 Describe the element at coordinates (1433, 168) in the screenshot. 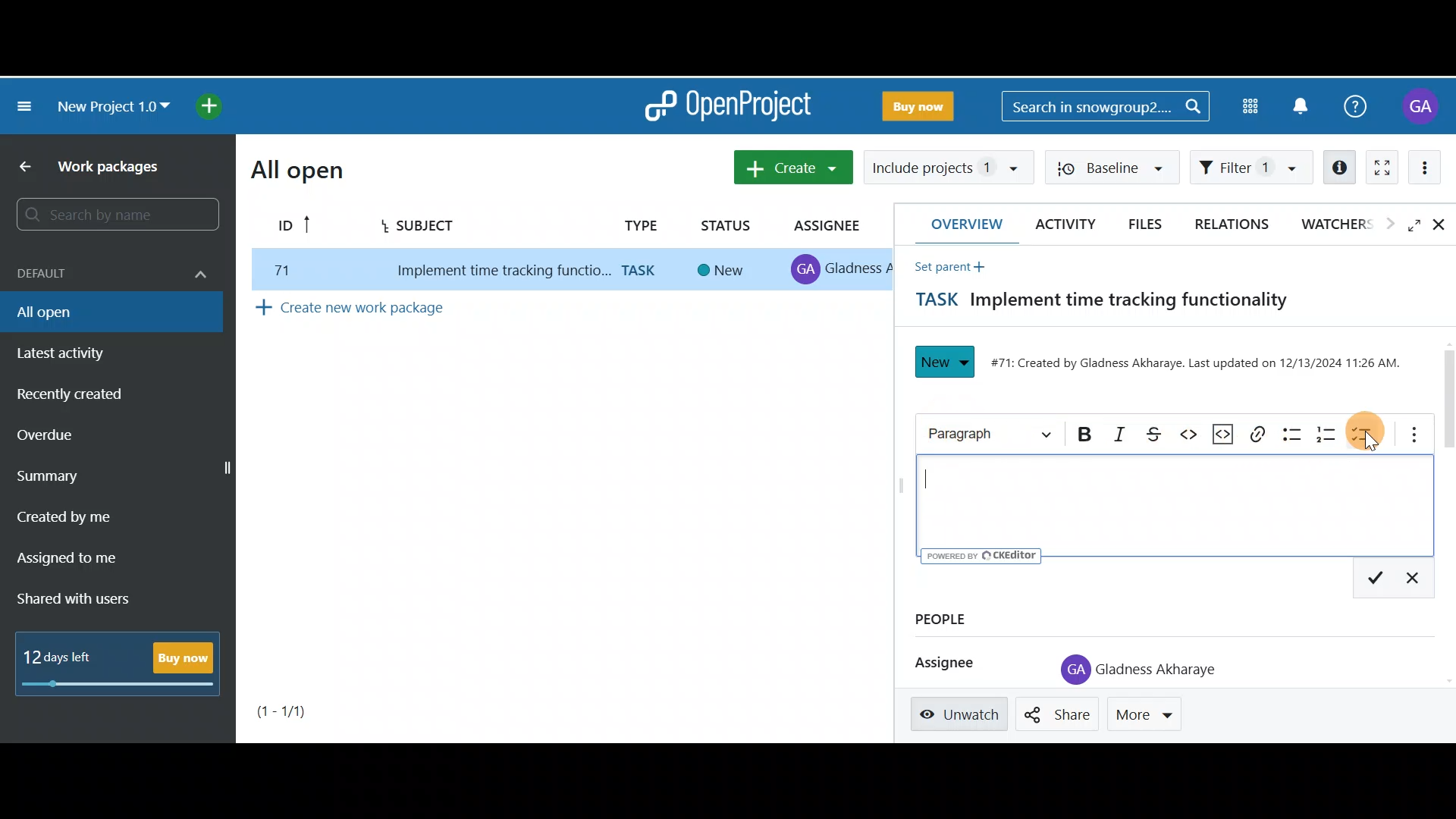

I see `More actions` at that location.